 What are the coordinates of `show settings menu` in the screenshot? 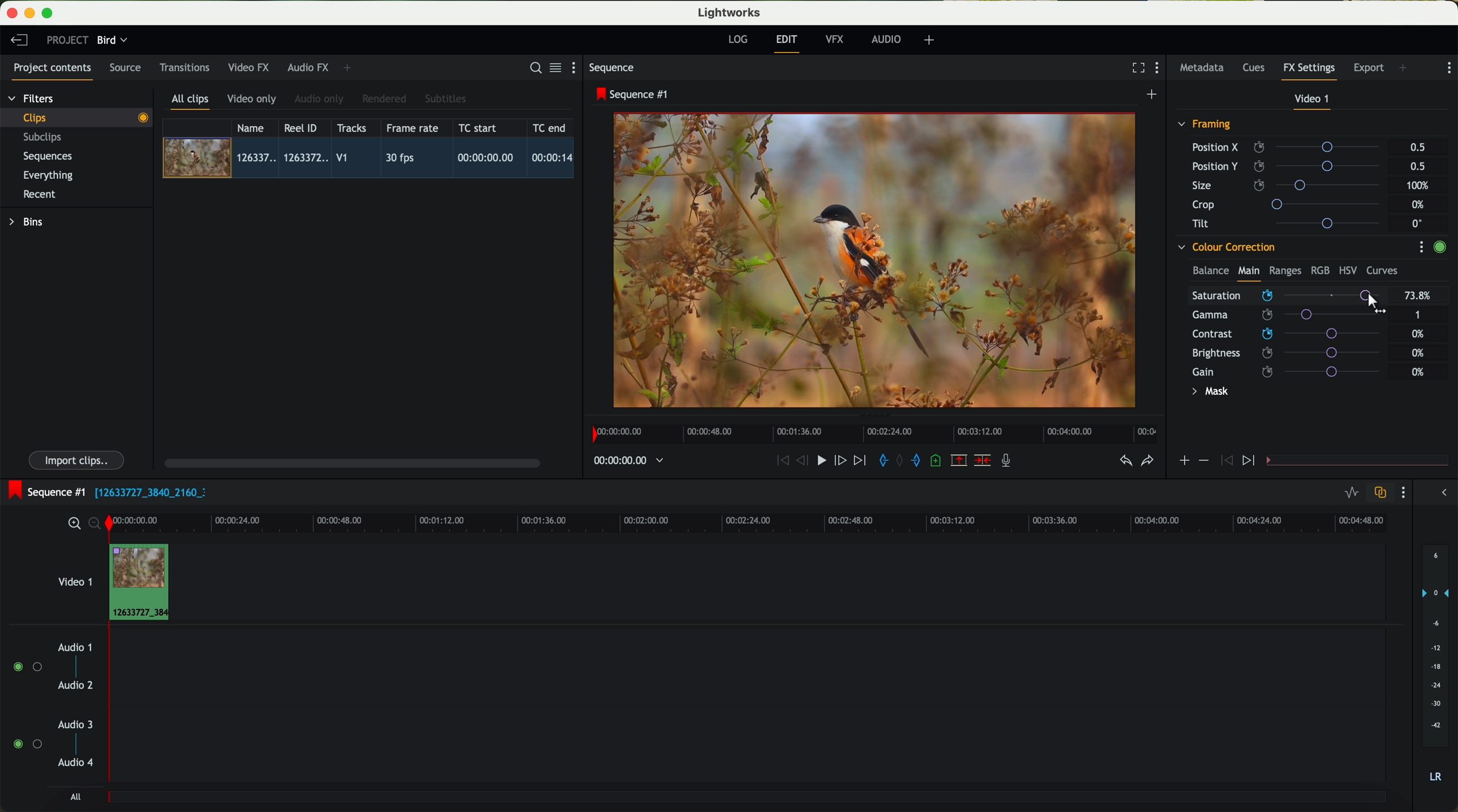 It's located at (578, 67).